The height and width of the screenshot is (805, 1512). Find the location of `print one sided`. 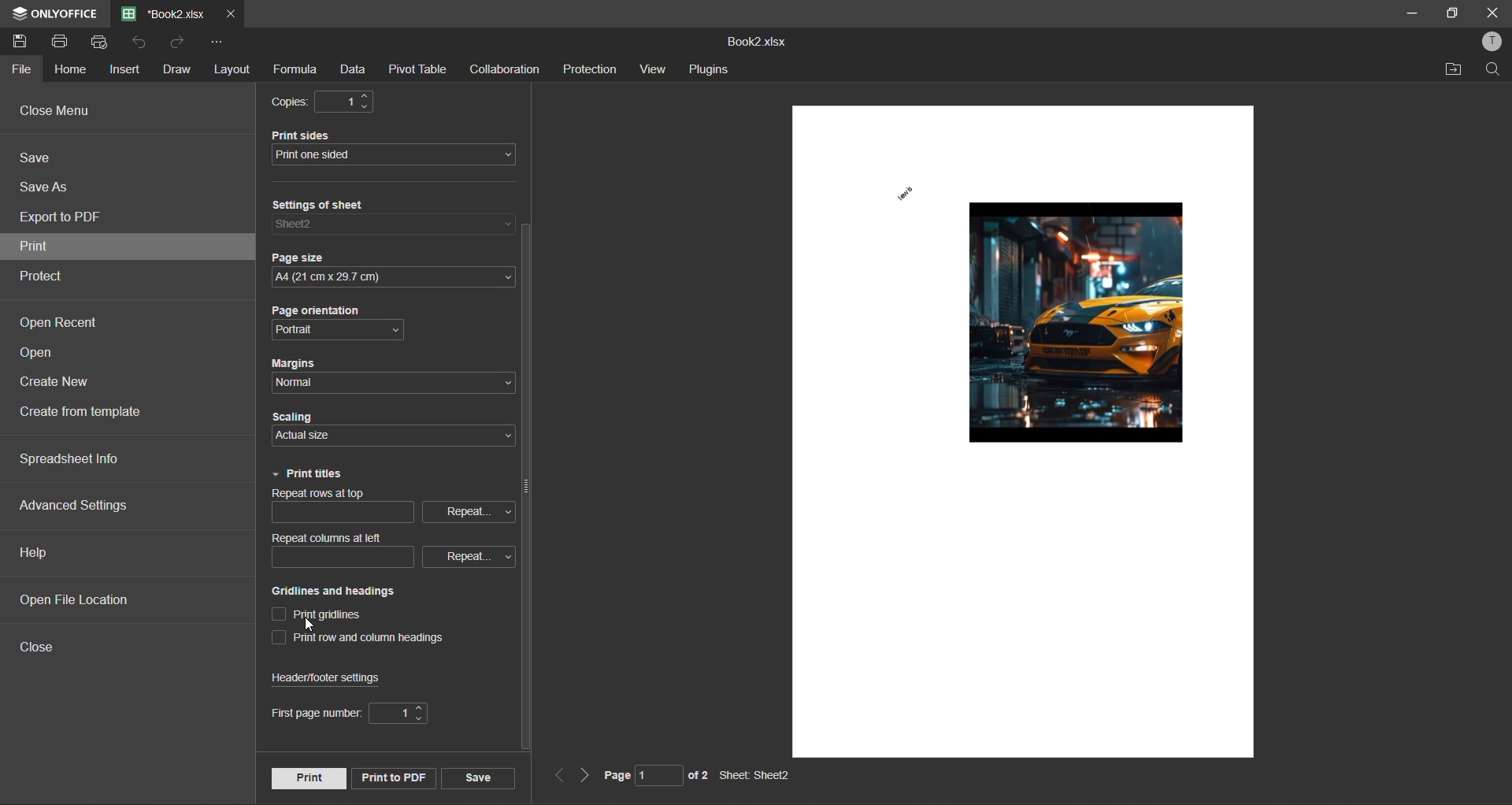

print one sided is located at coordinates (353, 157).